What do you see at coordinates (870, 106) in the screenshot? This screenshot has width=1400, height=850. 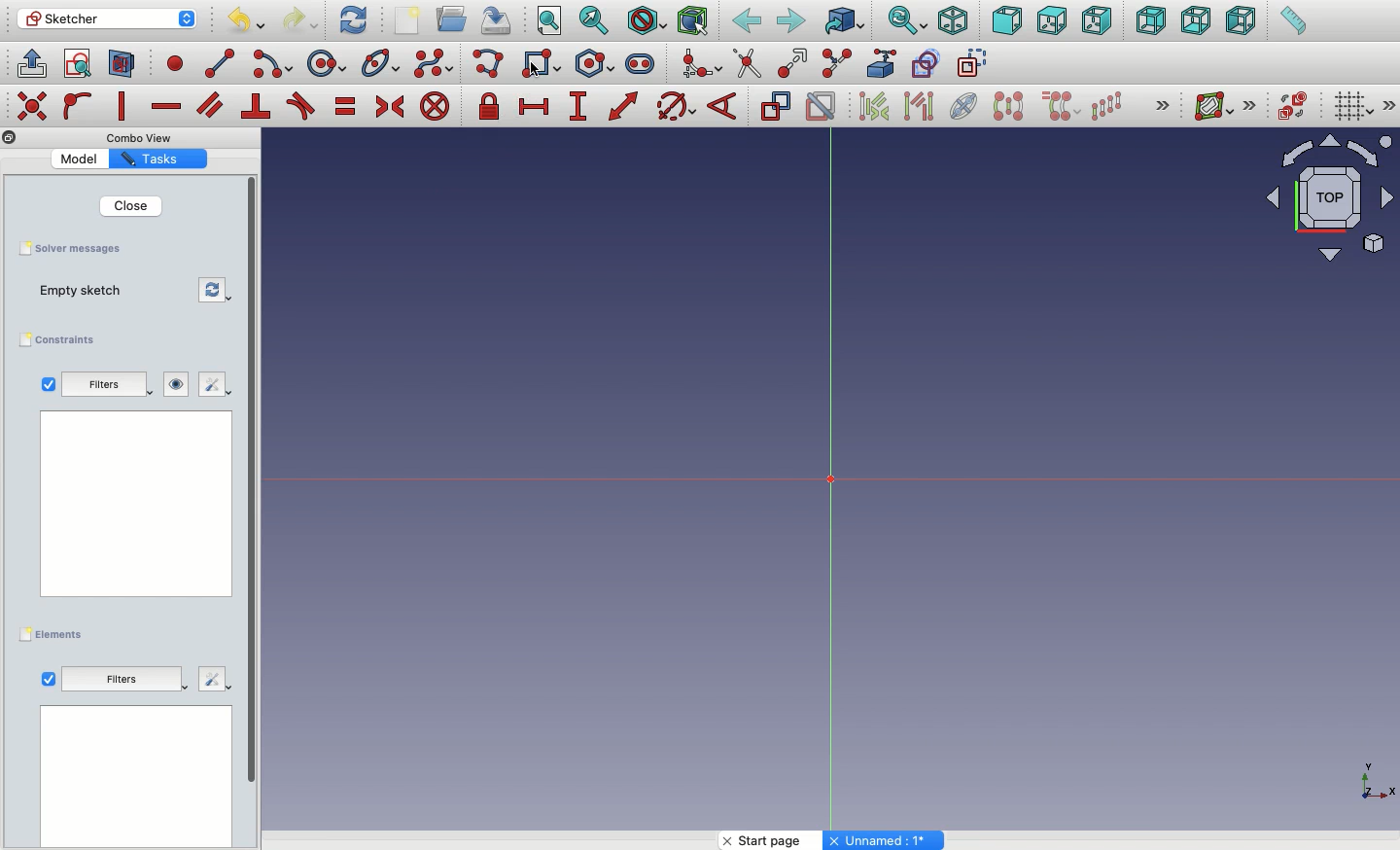 I see `Select associated constrains` at bounding box center [870, 106].